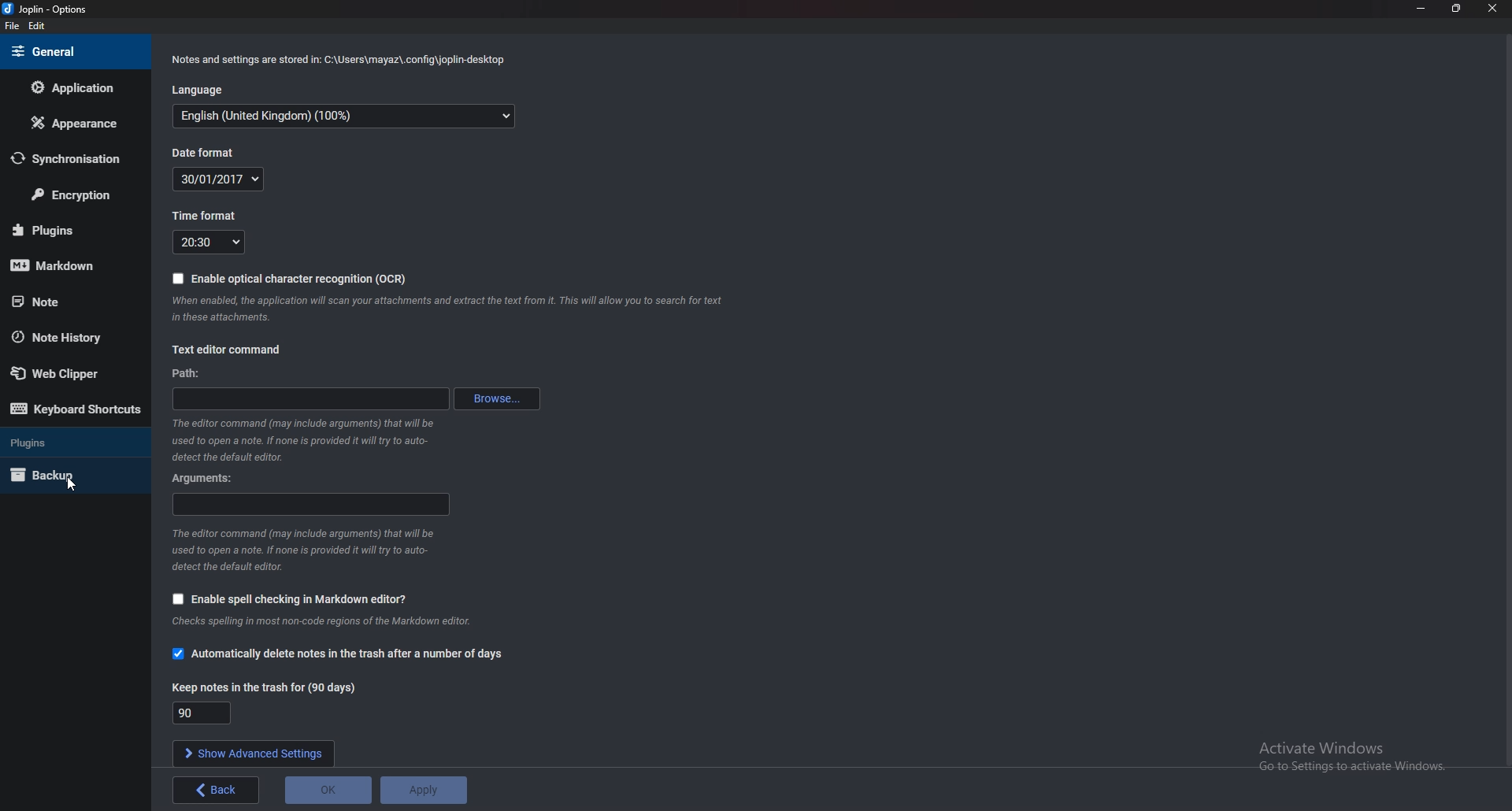  What do you see at coordinates (304, 550) in the screenshot?
I see `Info on editor command` at bounding box center [304, 550].